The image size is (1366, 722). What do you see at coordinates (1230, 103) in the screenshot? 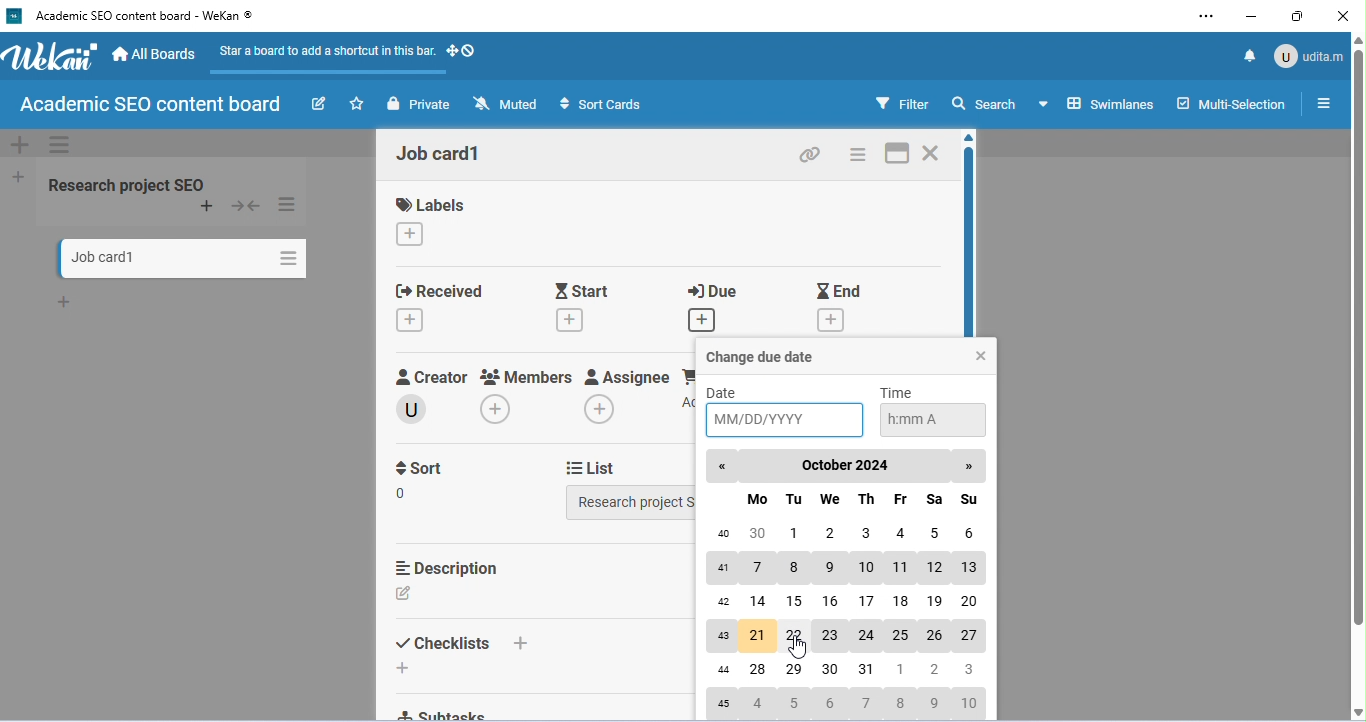
I see `multi-selection` at bounding box center [1230, 103].